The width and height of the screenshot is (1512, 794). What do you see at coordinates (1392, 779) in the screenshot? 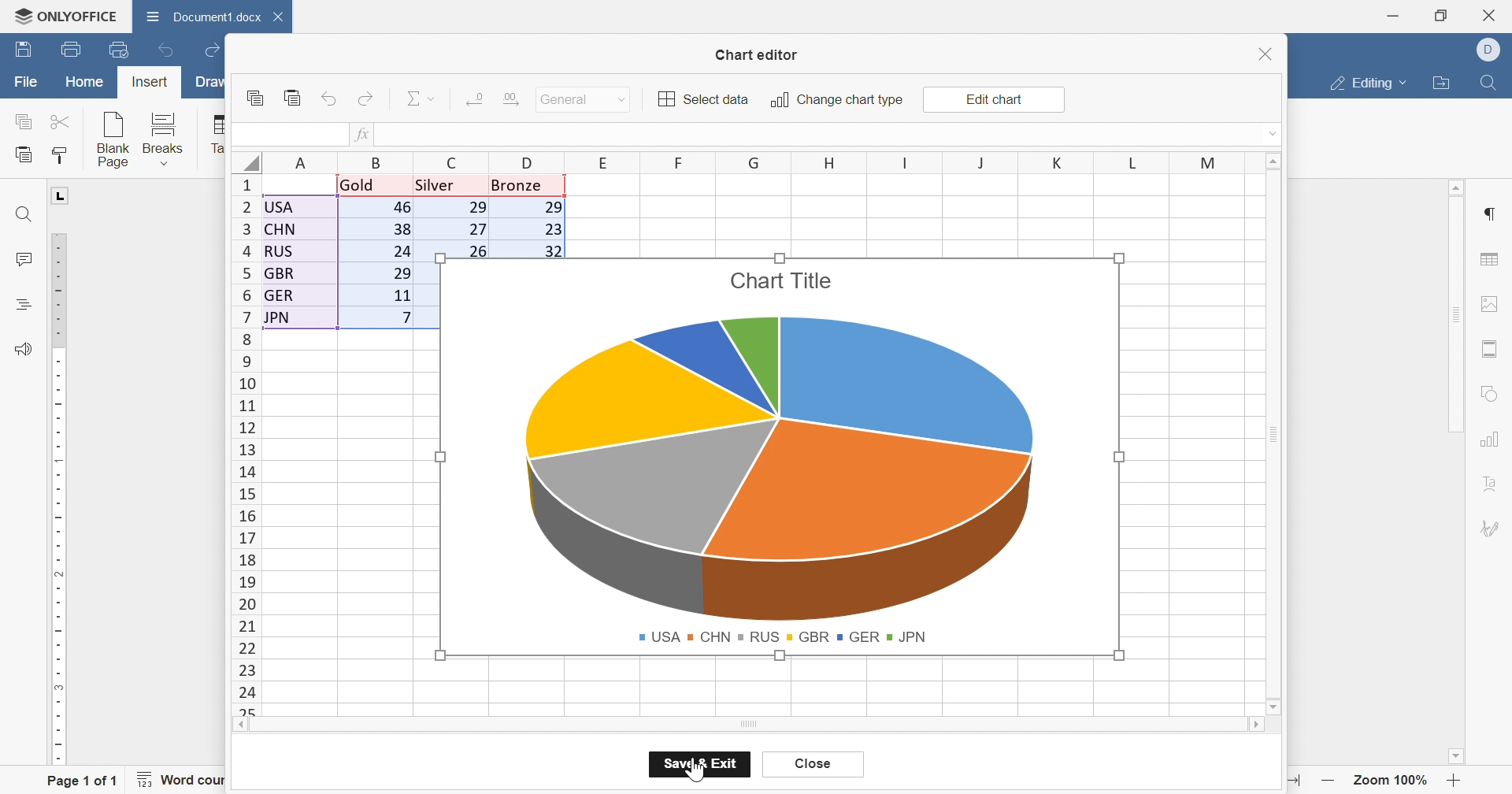
I see `Zoom 100%` at bounding box center [1392, 779].